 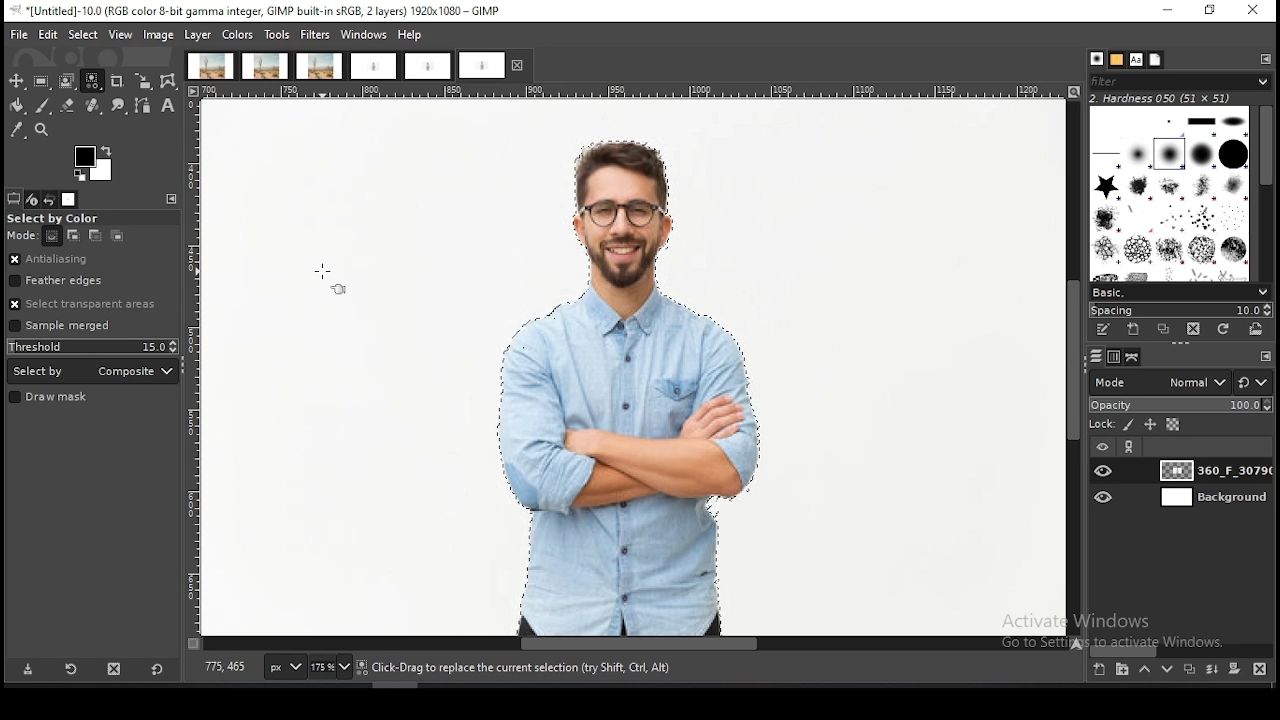 What do you see at coordinates (412, 34) in the screenshot?
I see `help` at bounding box center [412, 34].